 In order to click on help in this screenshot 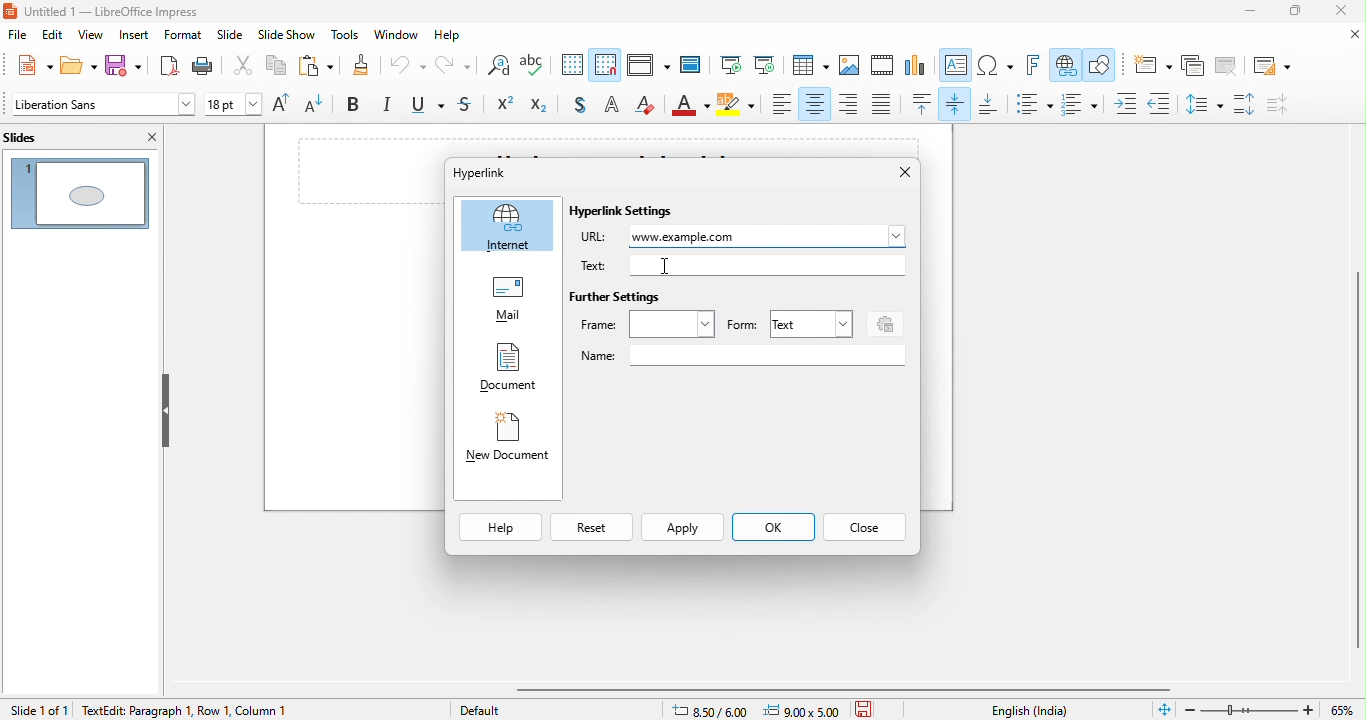, I will do `click(501, 528)`.